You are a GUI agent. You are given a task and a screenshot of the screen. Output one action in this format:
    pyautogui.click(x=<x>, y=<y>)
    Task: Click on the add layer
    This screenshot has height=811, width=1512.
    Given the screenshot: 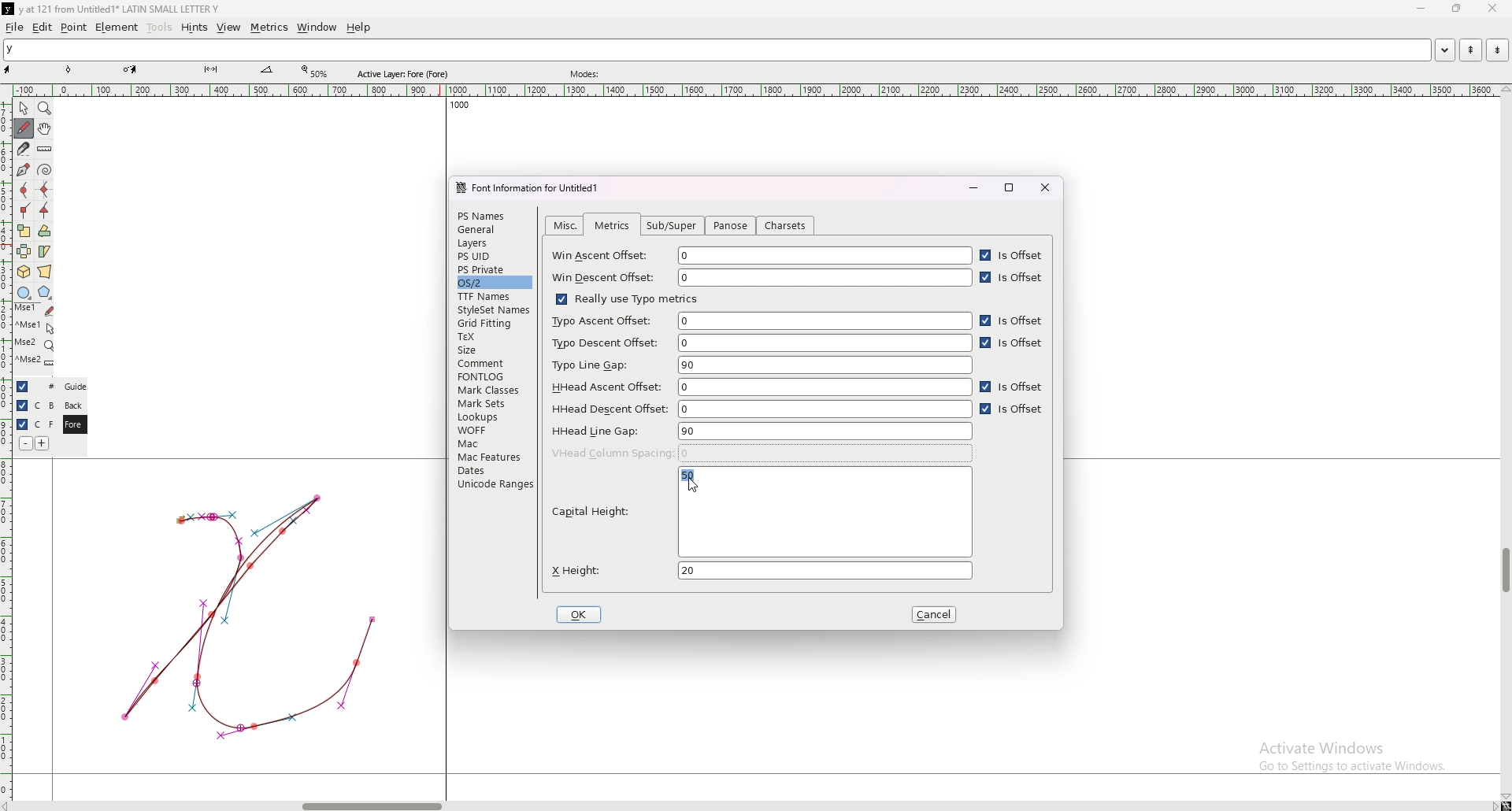 What is the action you would take?
    pyautogui.click(x=43, y=443)
    